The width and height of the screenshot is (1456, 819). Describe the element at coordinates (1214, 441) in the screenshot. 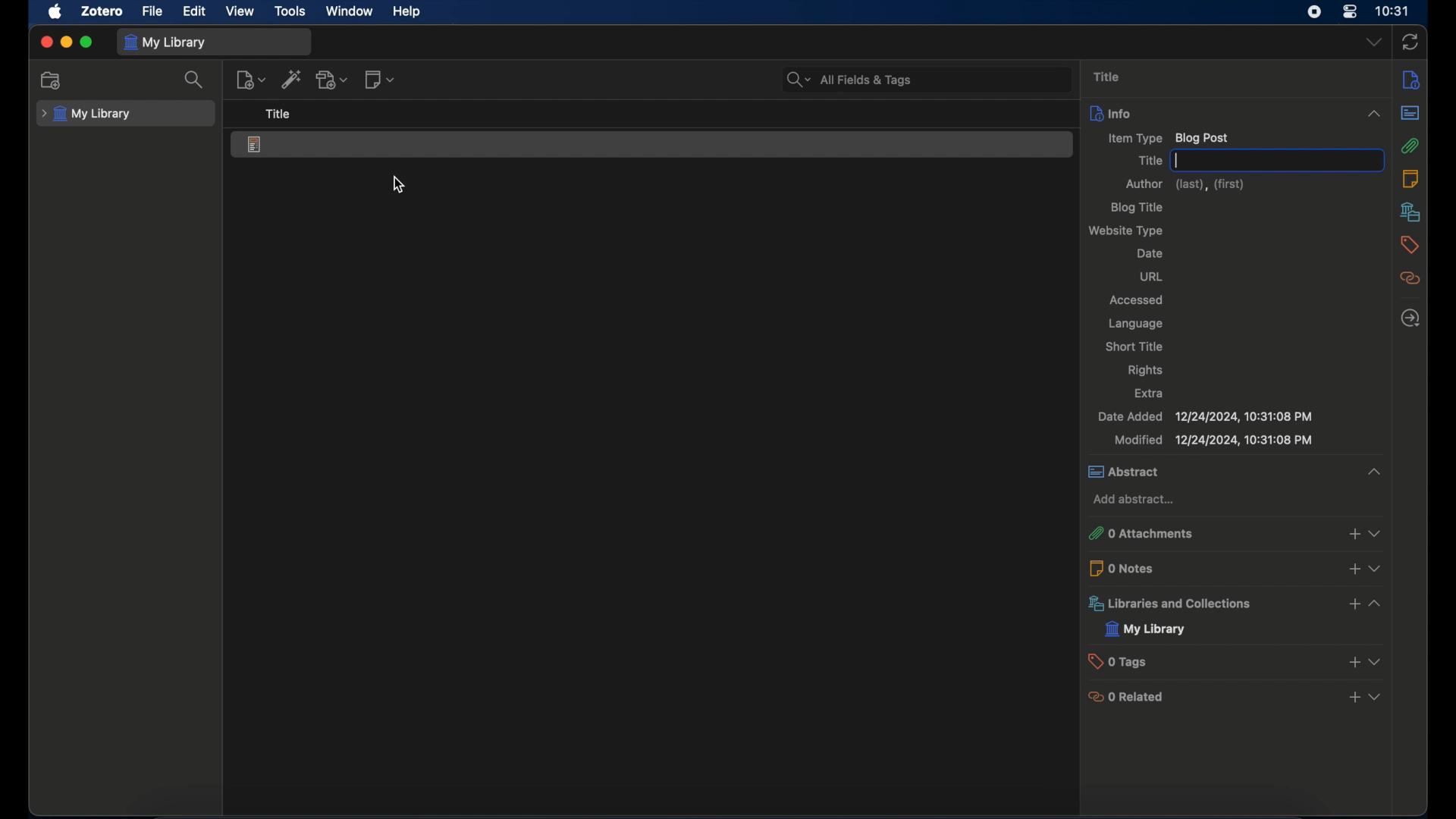

I see `modified` at that location.